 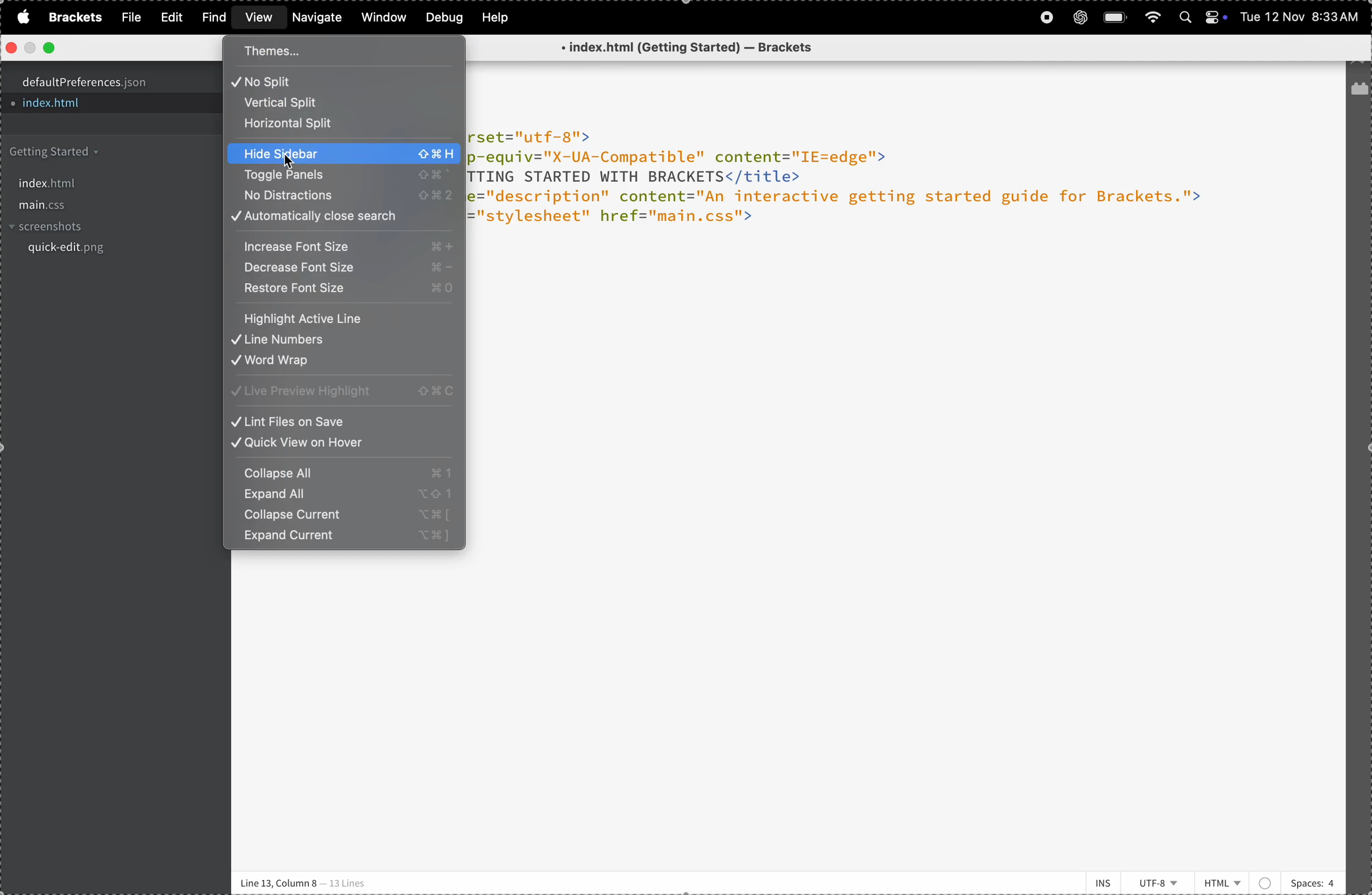 What do you see at coordinates (1097, 881) in the screenshot?
I see `ins` at bounding box center [1097, 881].